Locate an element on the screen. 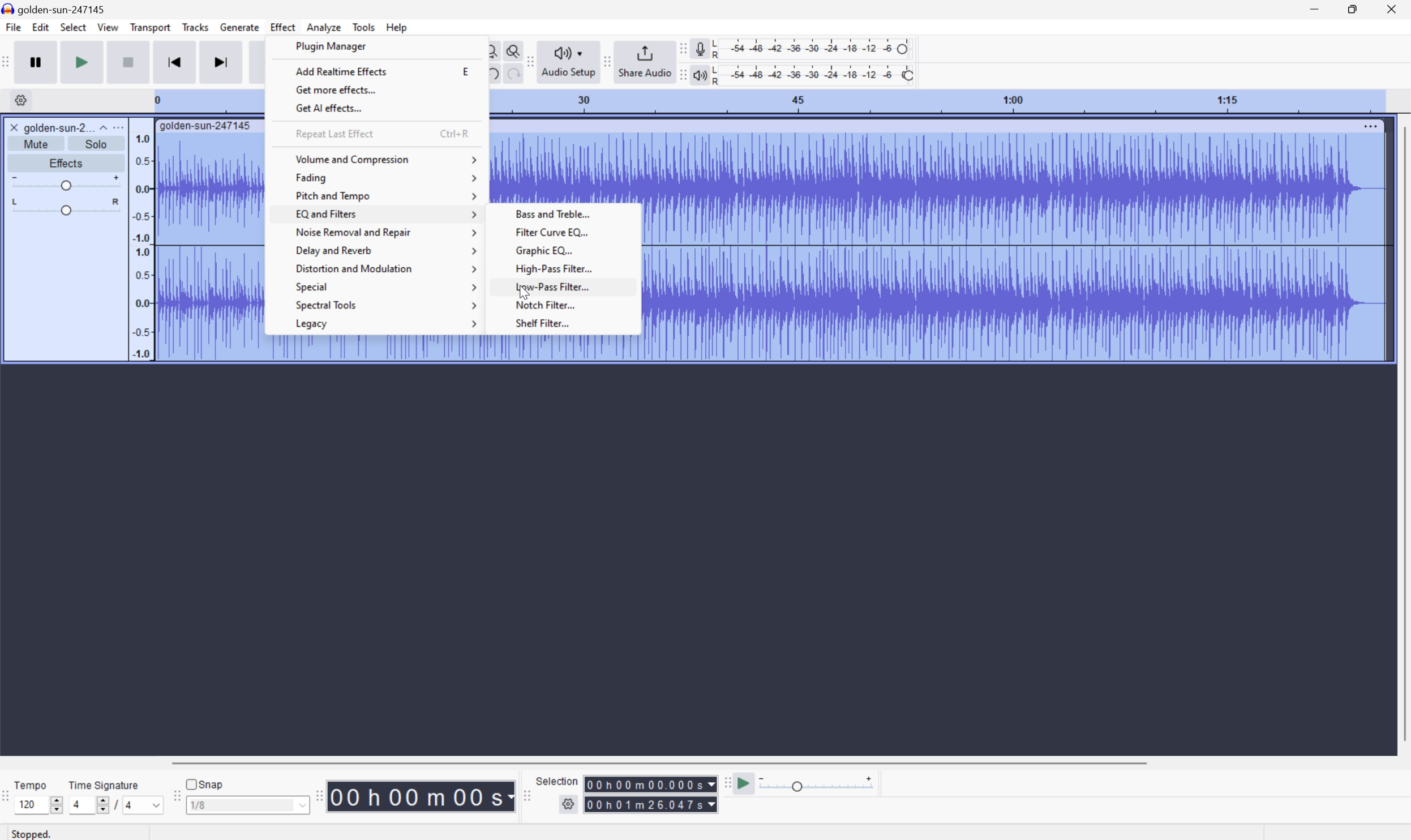 Image resolution: width=1411 pixels, height=840 pixels. Cursor is located at coordinates (524, 294).